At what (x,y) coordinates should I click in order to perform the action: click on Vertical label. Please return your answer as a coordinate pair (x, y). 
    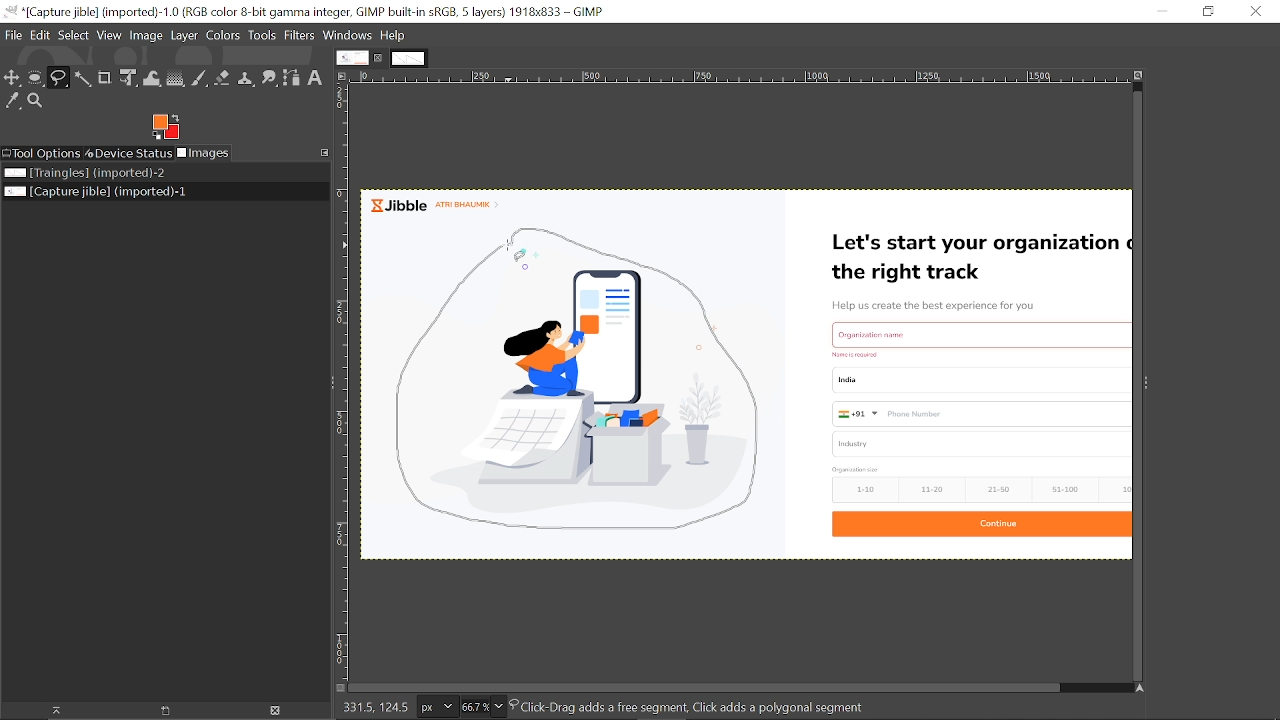
    Looking at the image, I should click on (344, 381).